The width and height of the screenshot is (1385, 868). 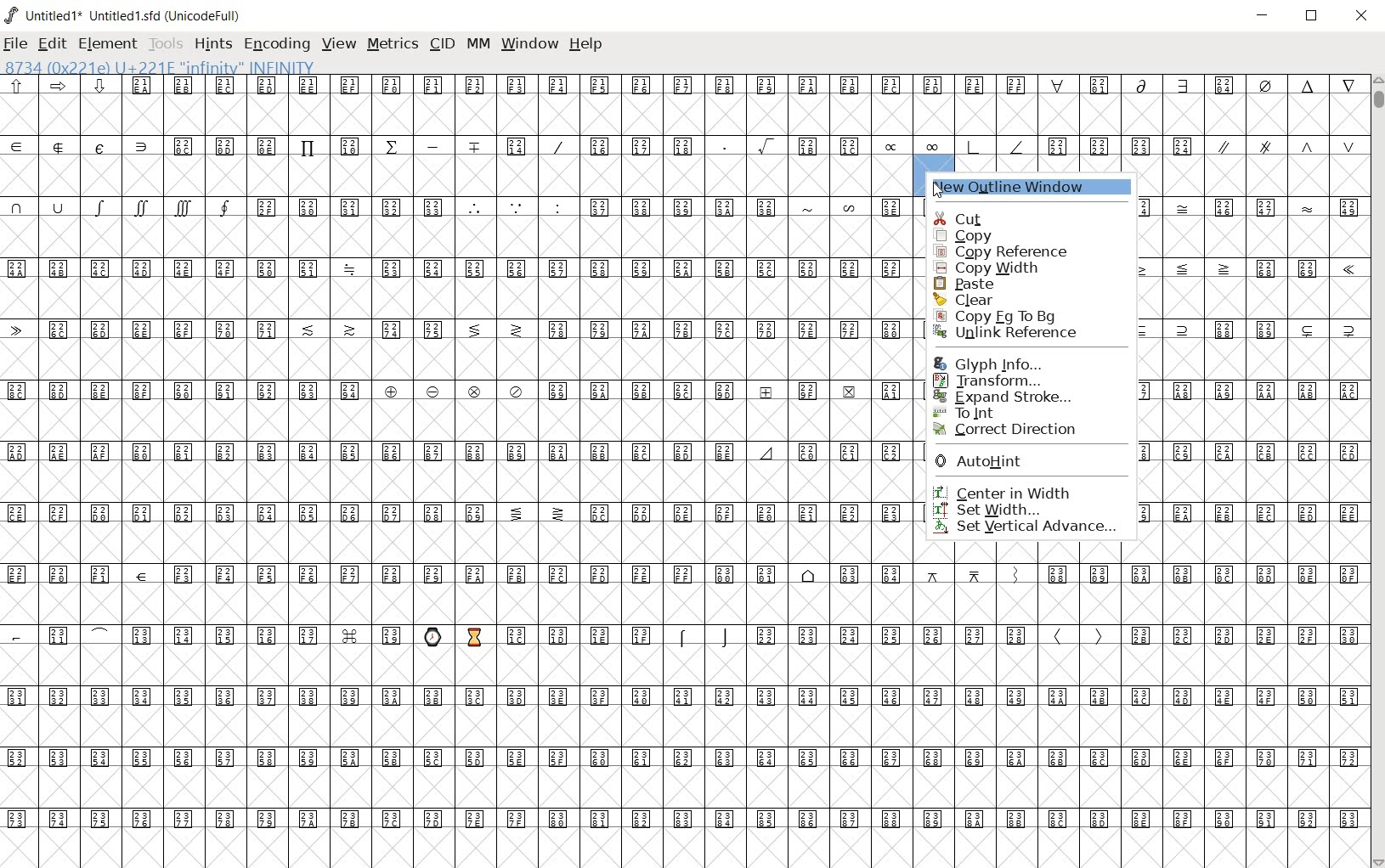 What do you see at coordinates (684, 603) in the screenshot?
I see `empty glyph slots` at bounding box center [684, 603].